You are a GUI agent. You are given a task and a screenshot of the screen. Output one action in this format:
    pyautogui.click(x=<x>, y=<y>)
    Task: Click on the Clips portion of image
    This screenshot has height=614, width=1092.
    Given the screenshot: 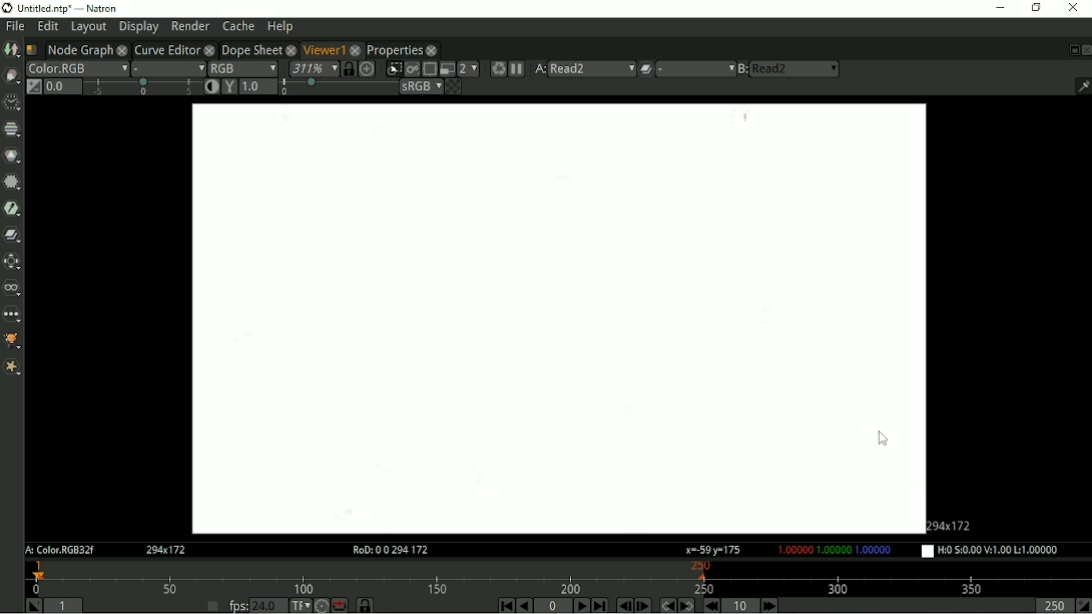 What is the action you would take?
    pyautogui.click(x=393, y=69)
    